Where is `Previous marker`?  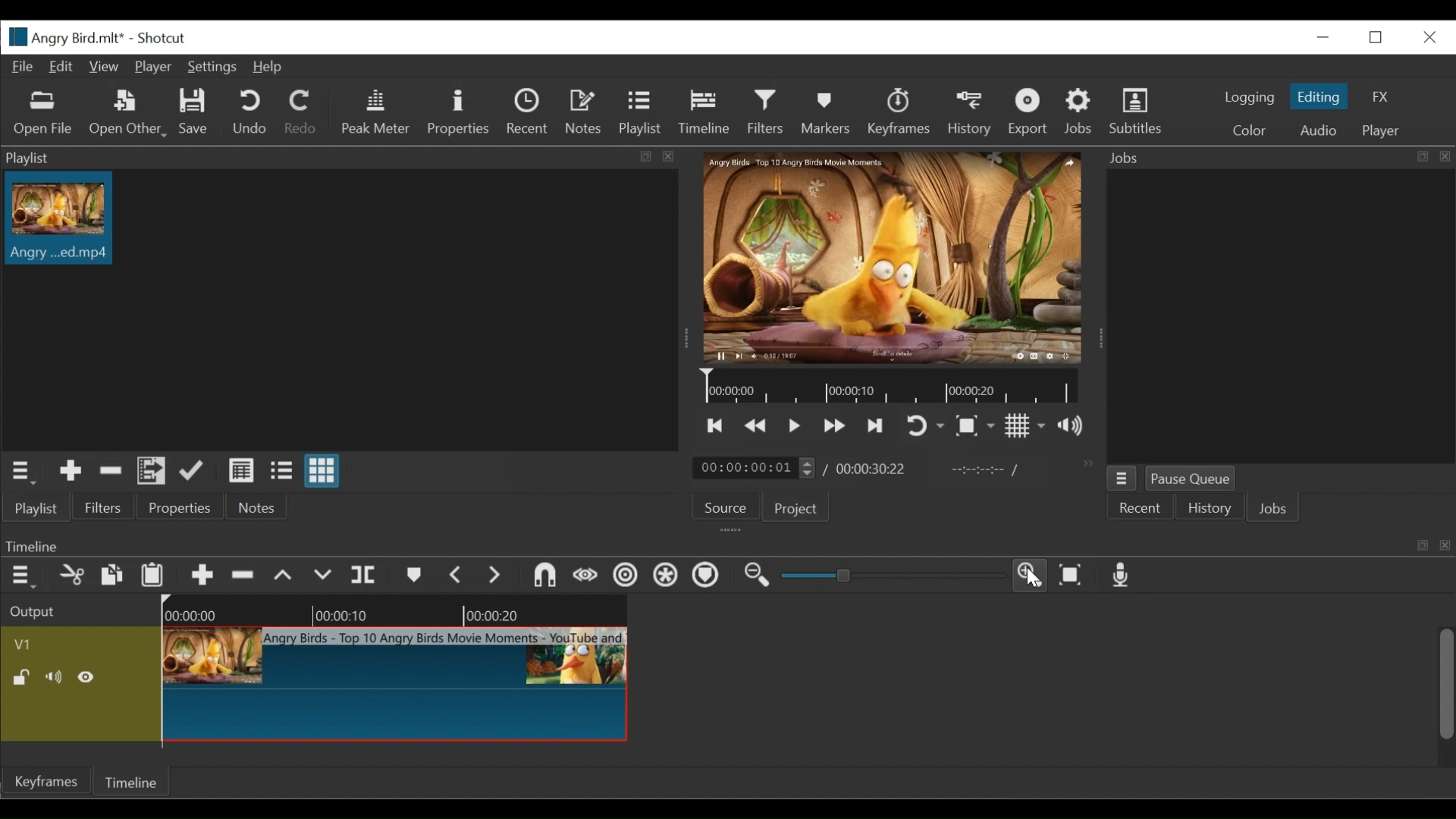
Previous marker is located at coordinates (457, 576).